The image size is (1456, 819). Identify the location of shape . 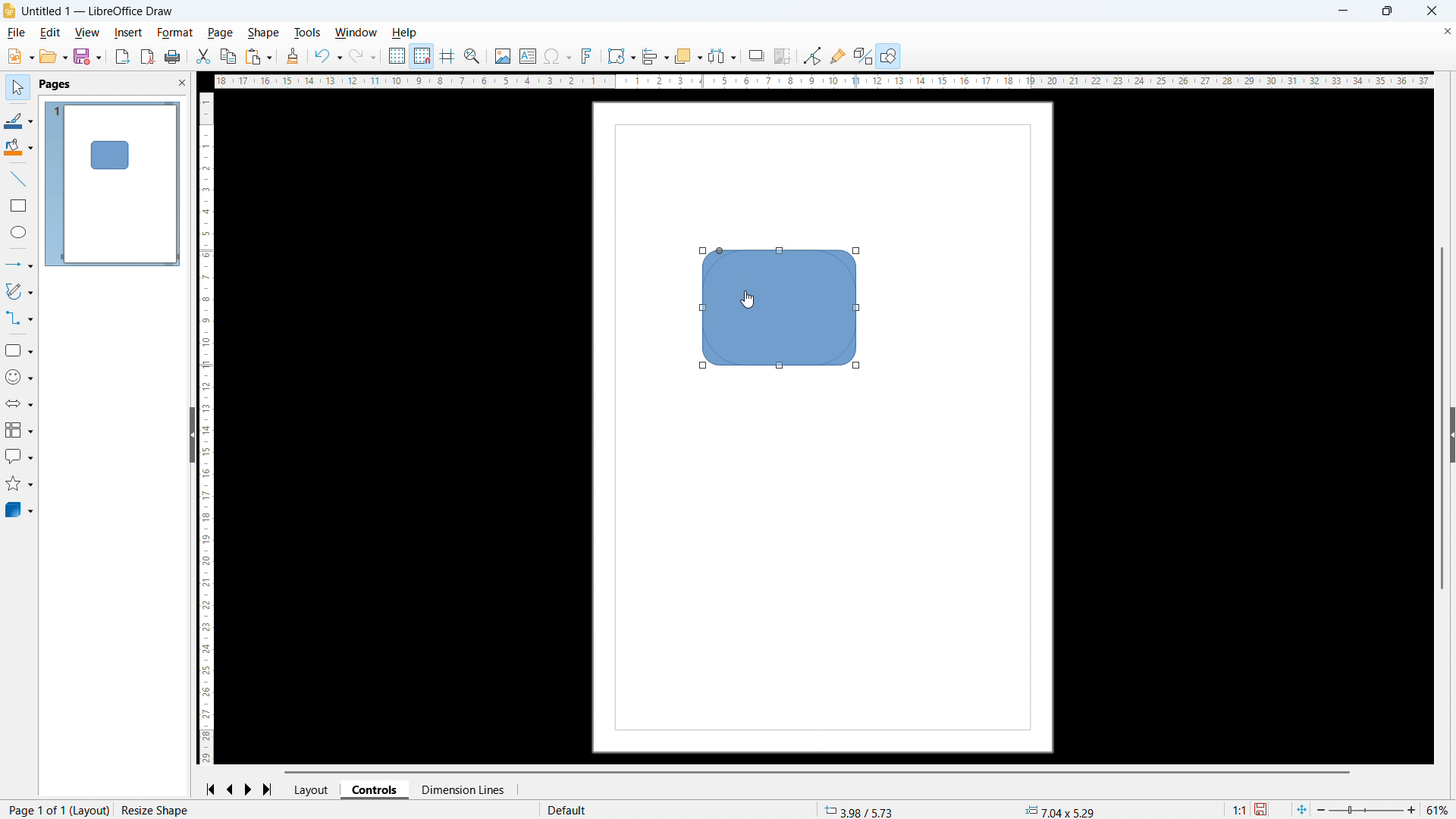
(263, 33).